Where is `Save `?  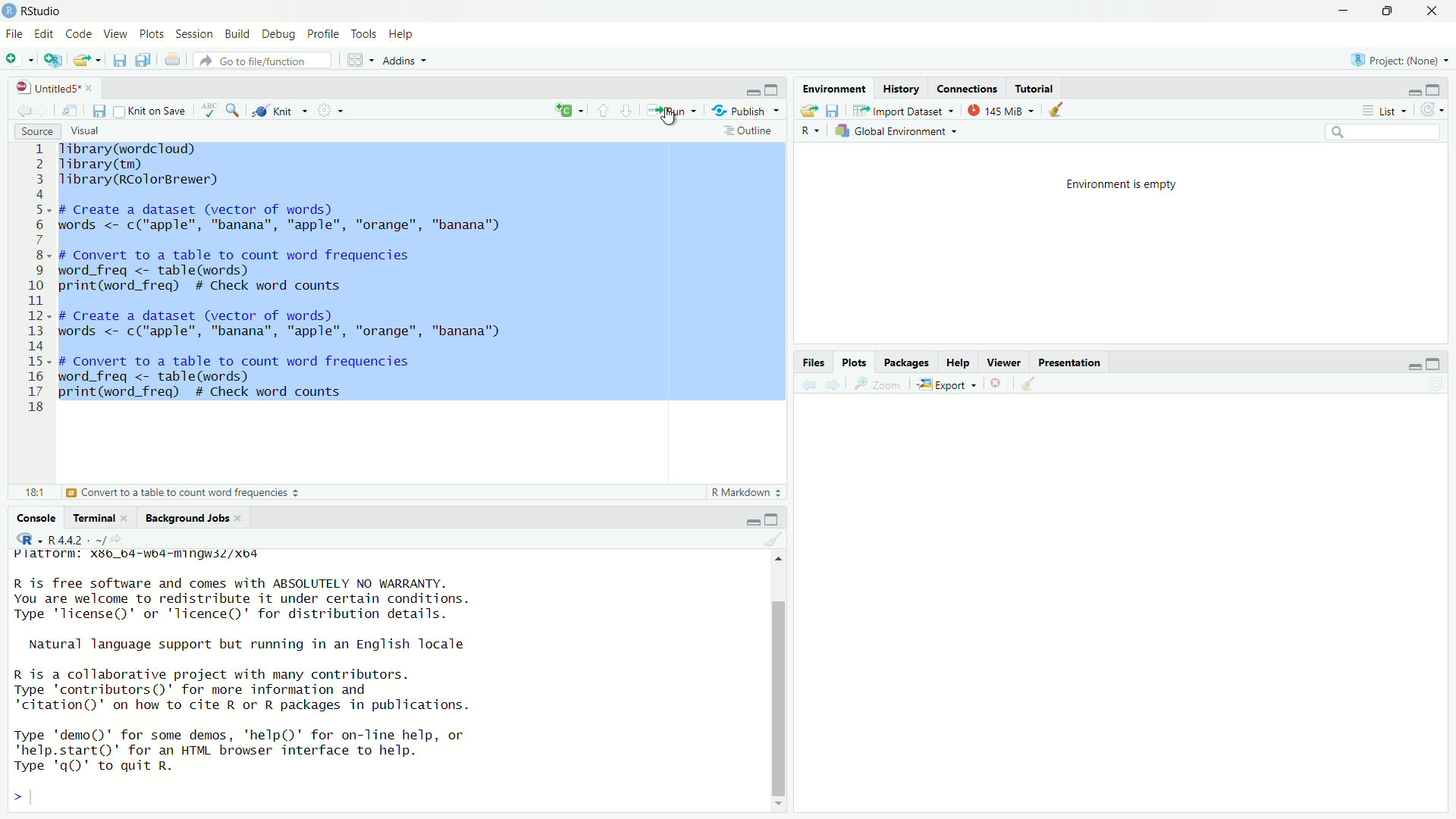
Save  is located at coordinates (833, 111).